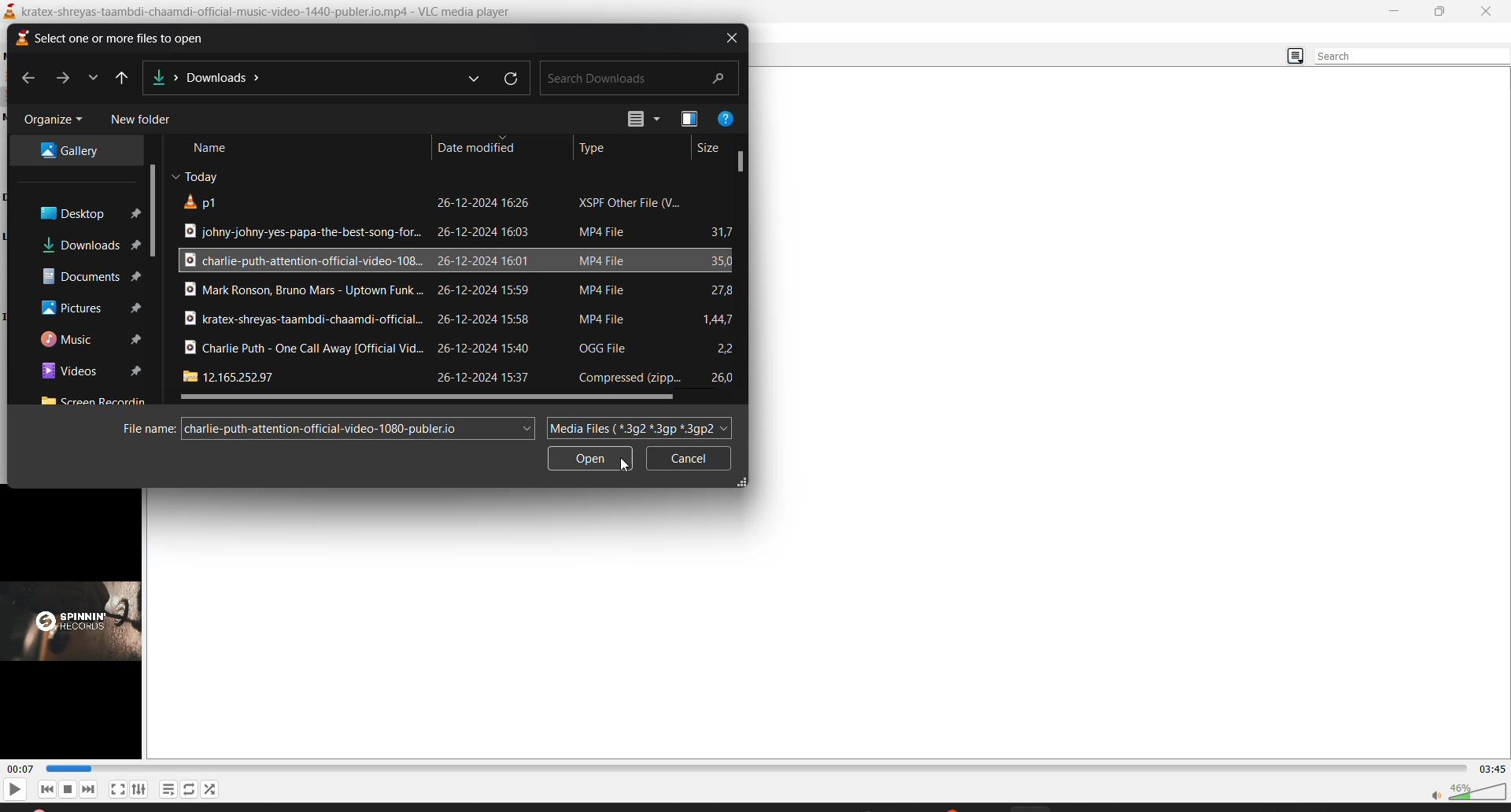 This screenshot has height=812, width=1511. Describe the element at coordinates (610, 234) in the screenshot. I see `file type` at that location.